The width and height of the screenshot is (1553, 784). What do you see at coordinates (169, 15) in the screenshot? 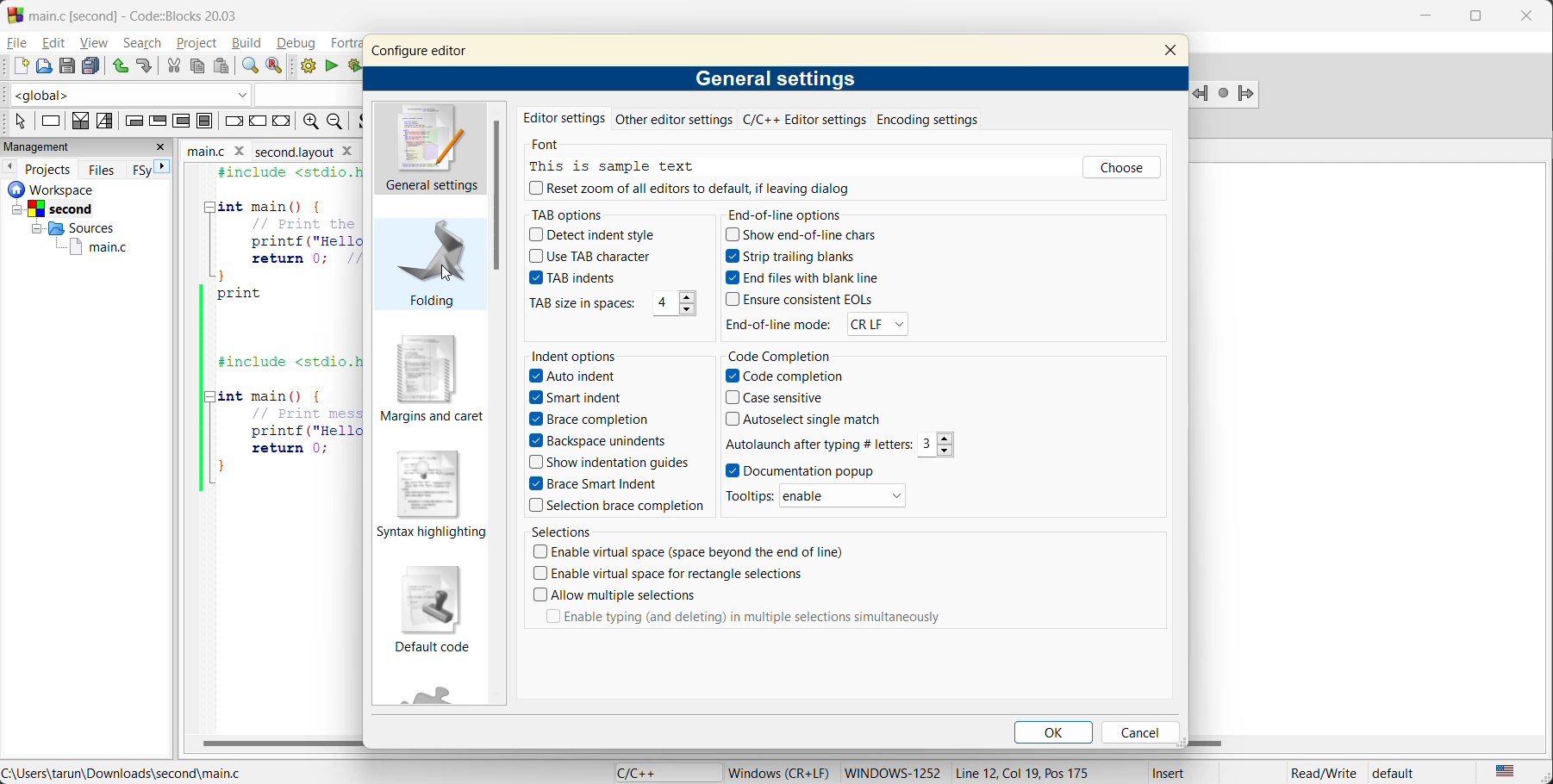
I see `app name and file name` at bounding box center [169, 15].